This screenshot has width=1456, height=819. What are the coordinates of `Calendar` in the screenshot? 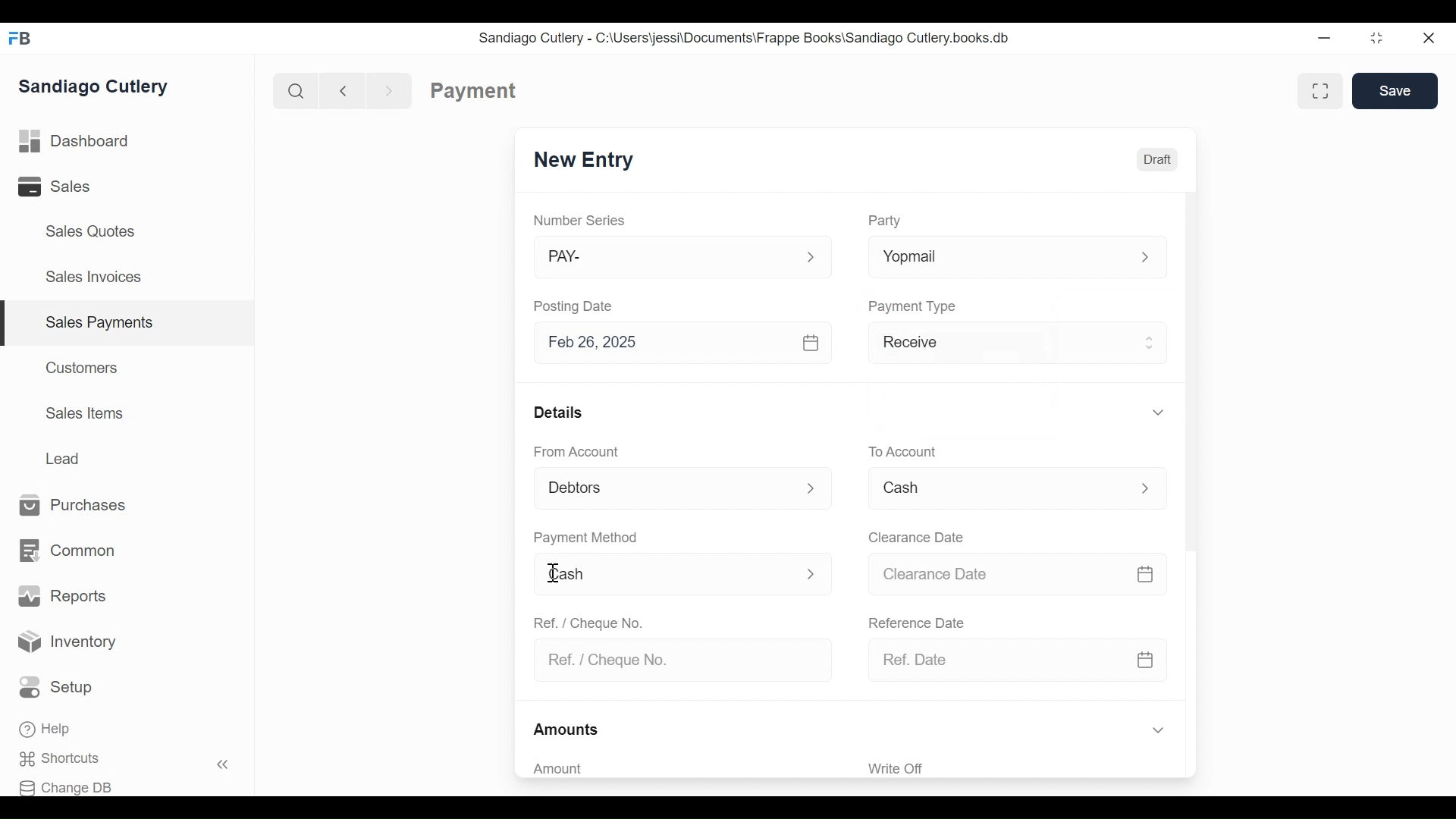 It's located at (813, 343).